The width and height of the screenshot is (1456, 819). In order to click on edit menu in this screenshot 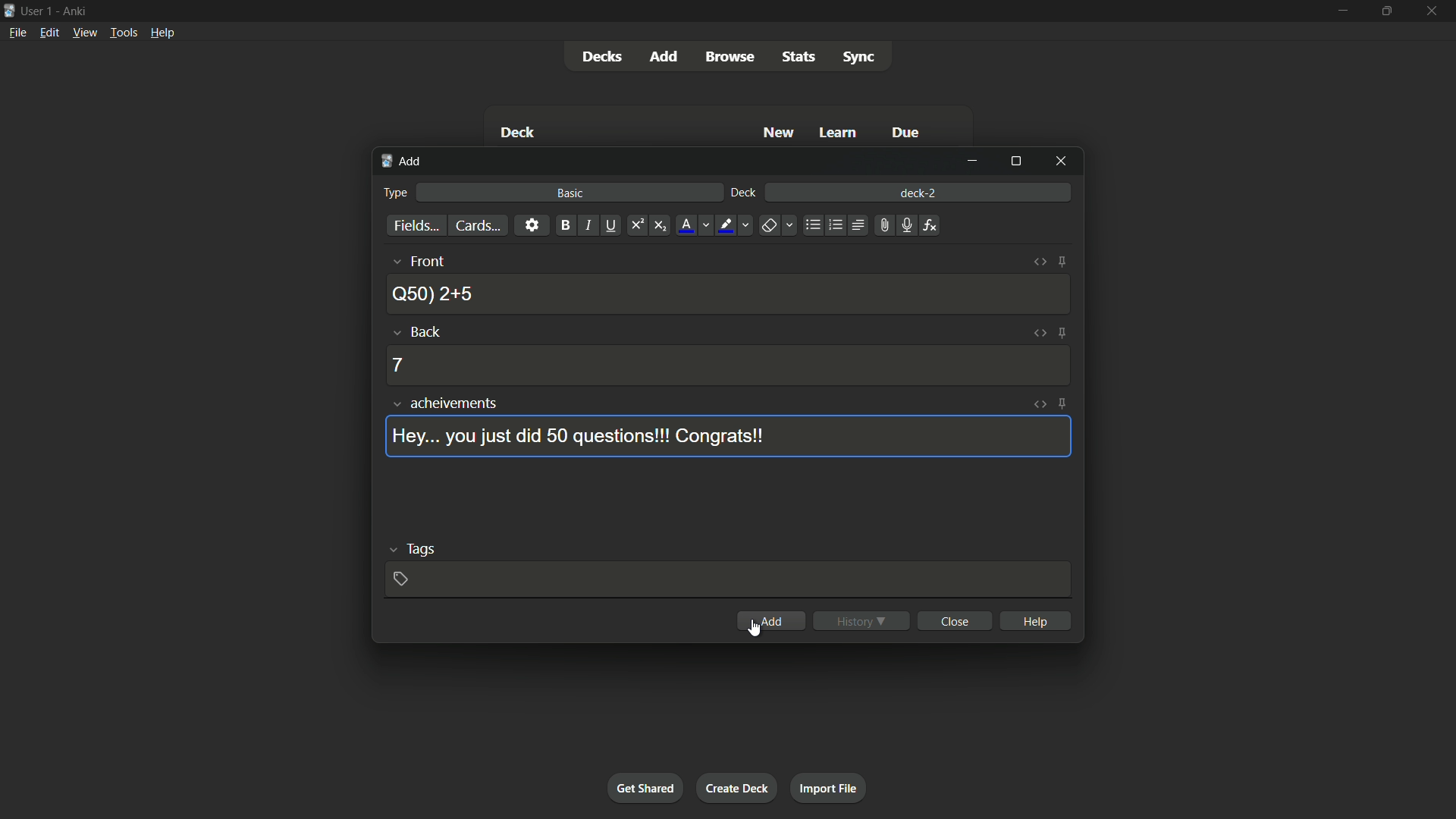, I will do `click(49, 33)`.